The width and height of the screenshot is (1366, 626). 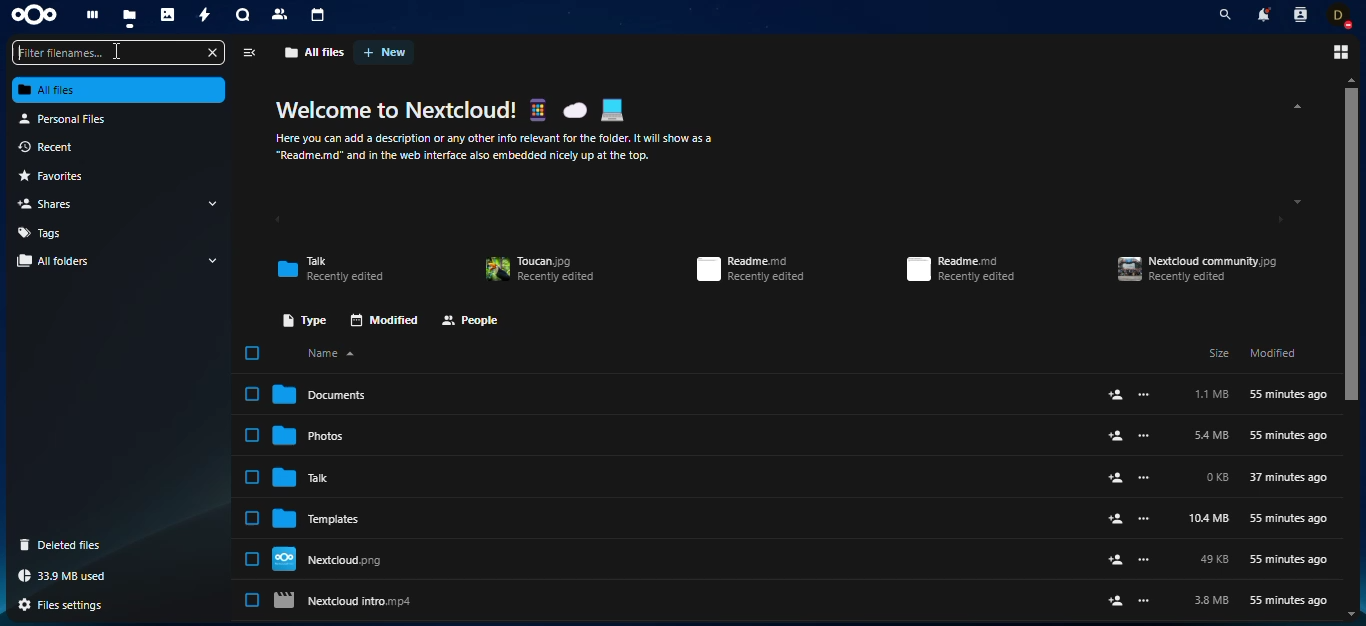 I want to click on scroll left, so click(x=277, y=221).